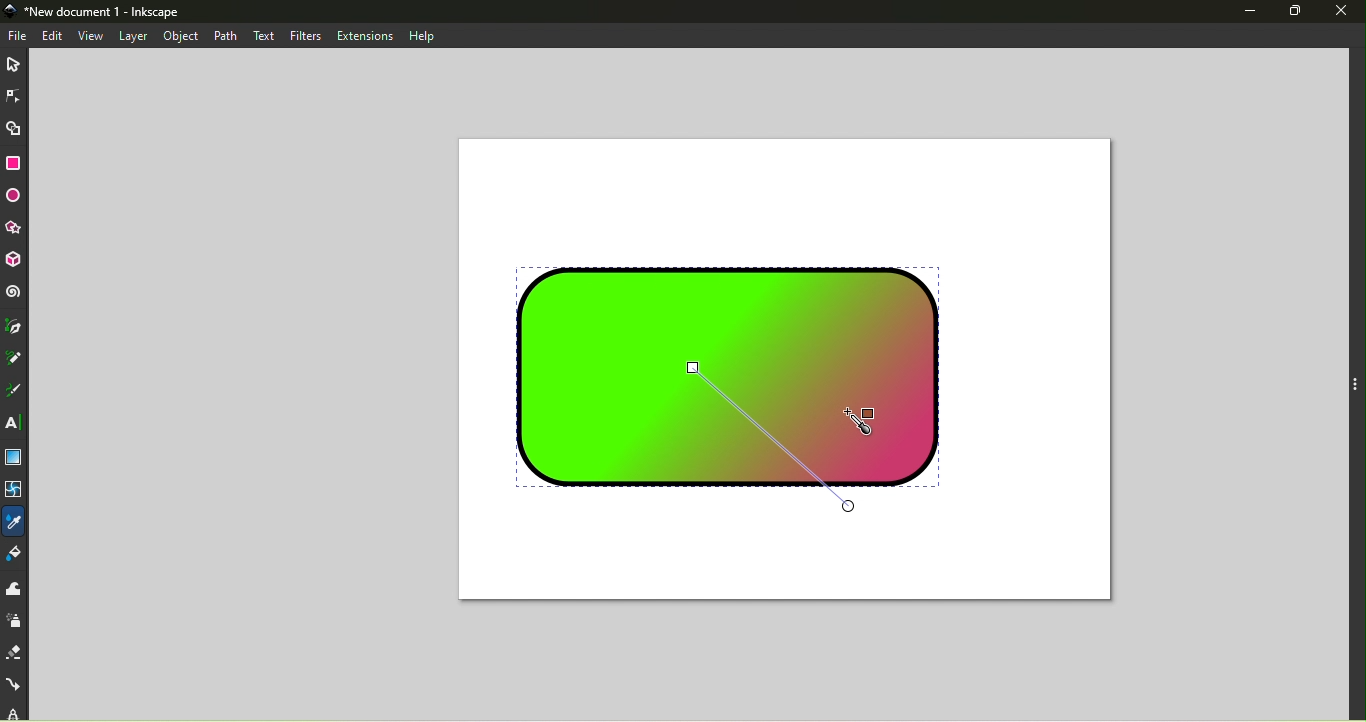  I want to click on Path, so click(230, 36).